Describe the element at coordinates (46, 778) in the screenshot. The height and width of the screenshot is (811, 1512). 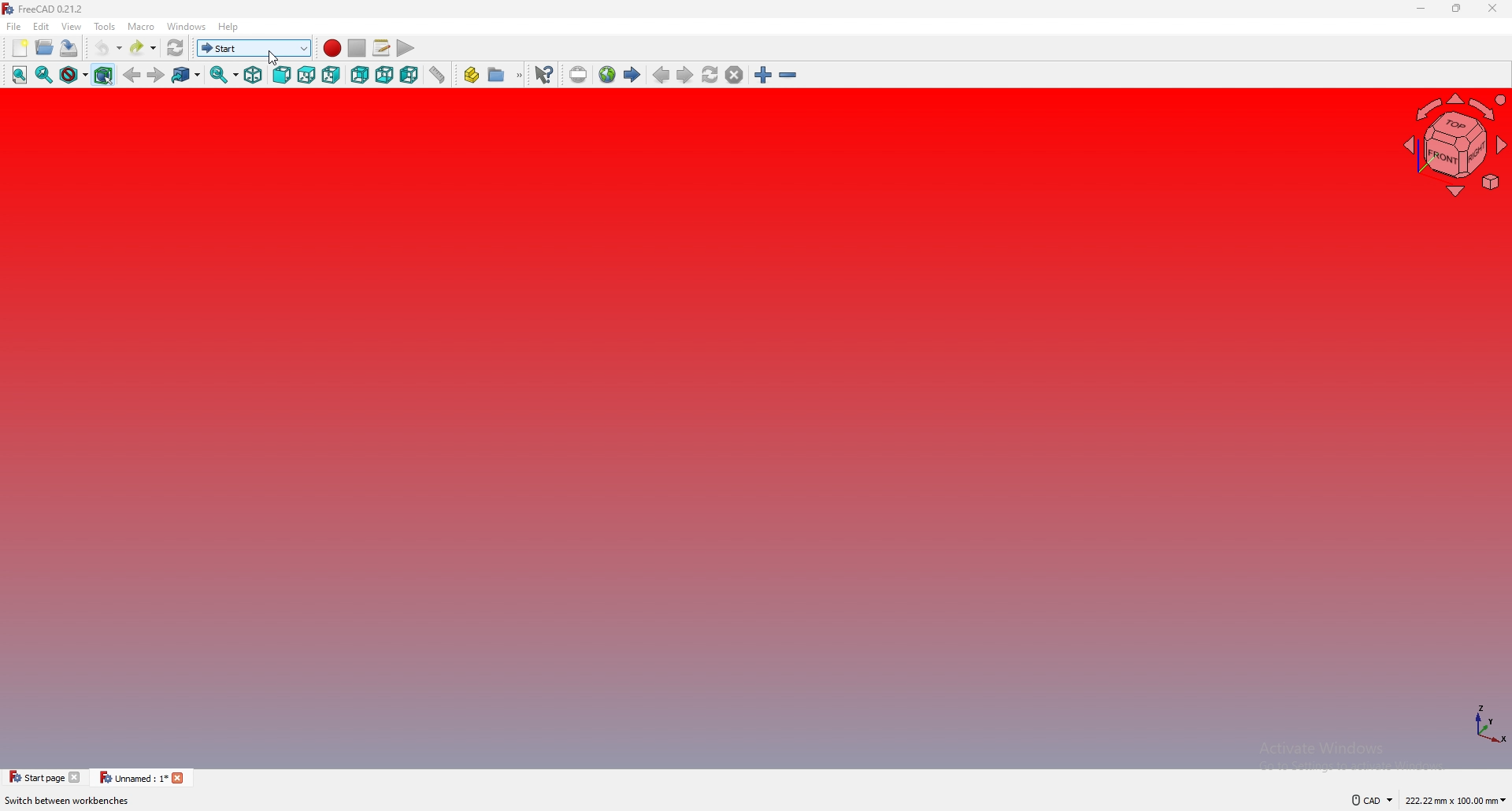
I see `tab 1` at that location.